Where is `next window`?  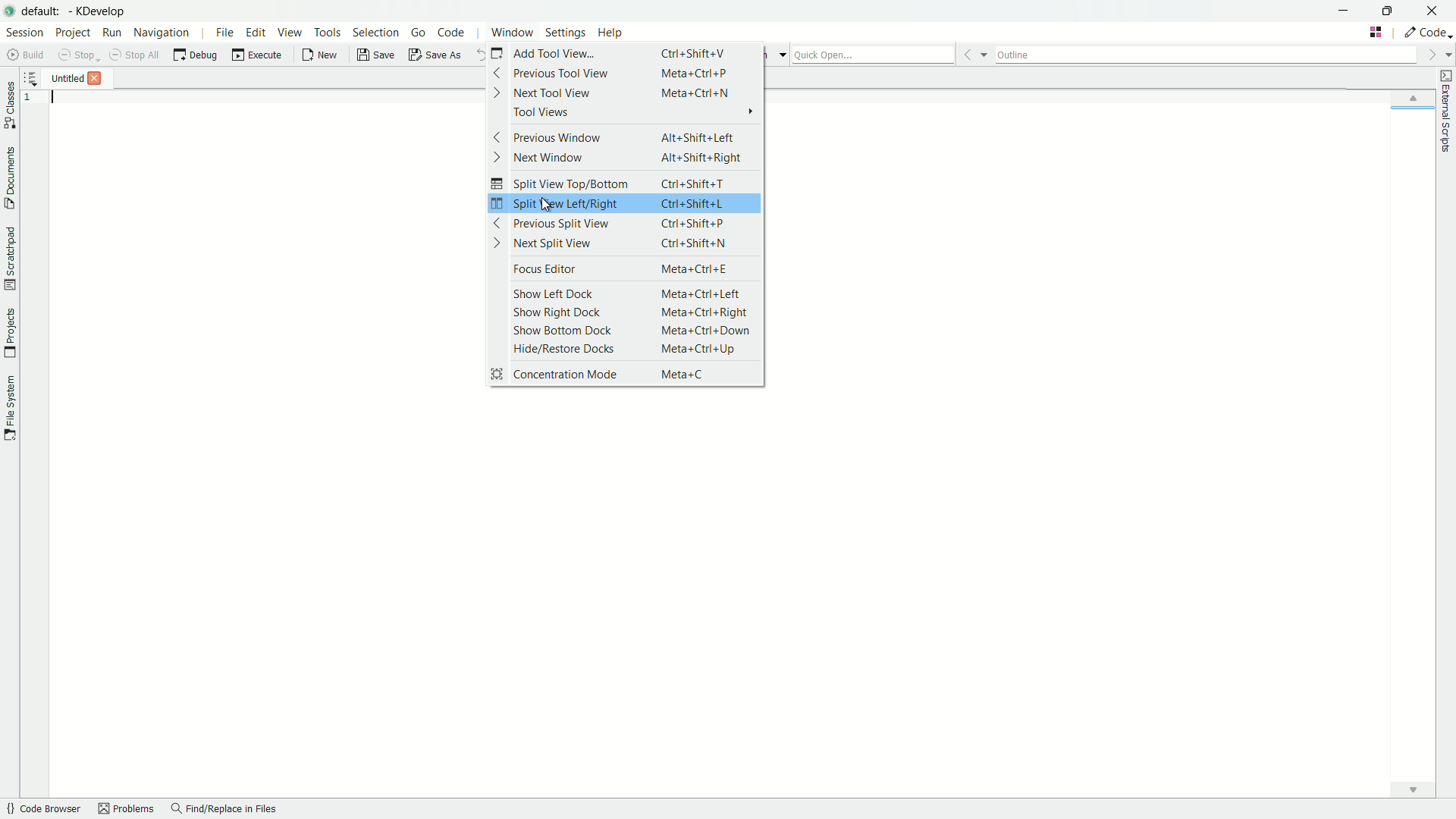 next window is located at coordinates (562, 155).